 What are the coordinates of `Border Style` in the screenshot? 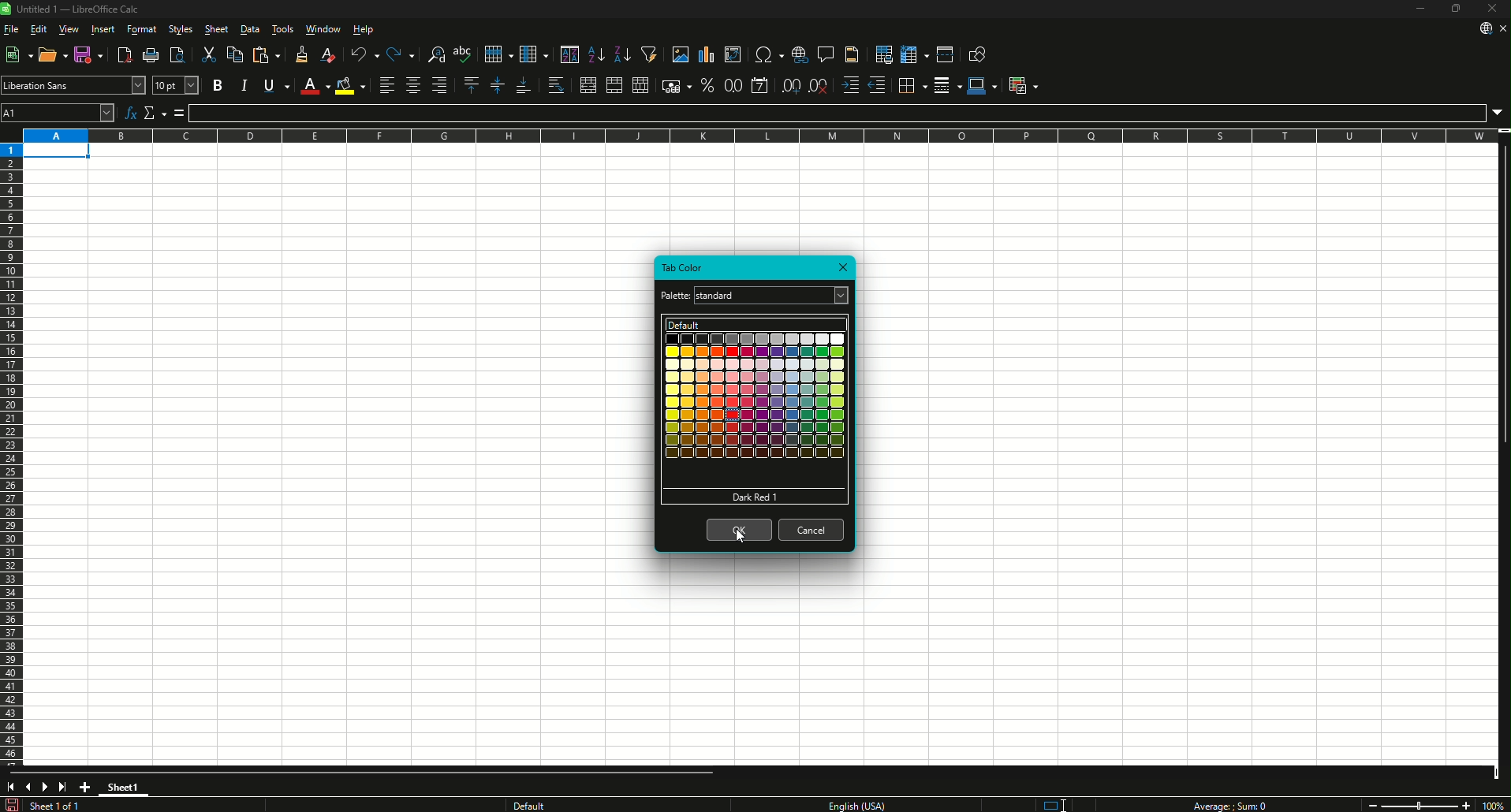 It's located at (947, 86).